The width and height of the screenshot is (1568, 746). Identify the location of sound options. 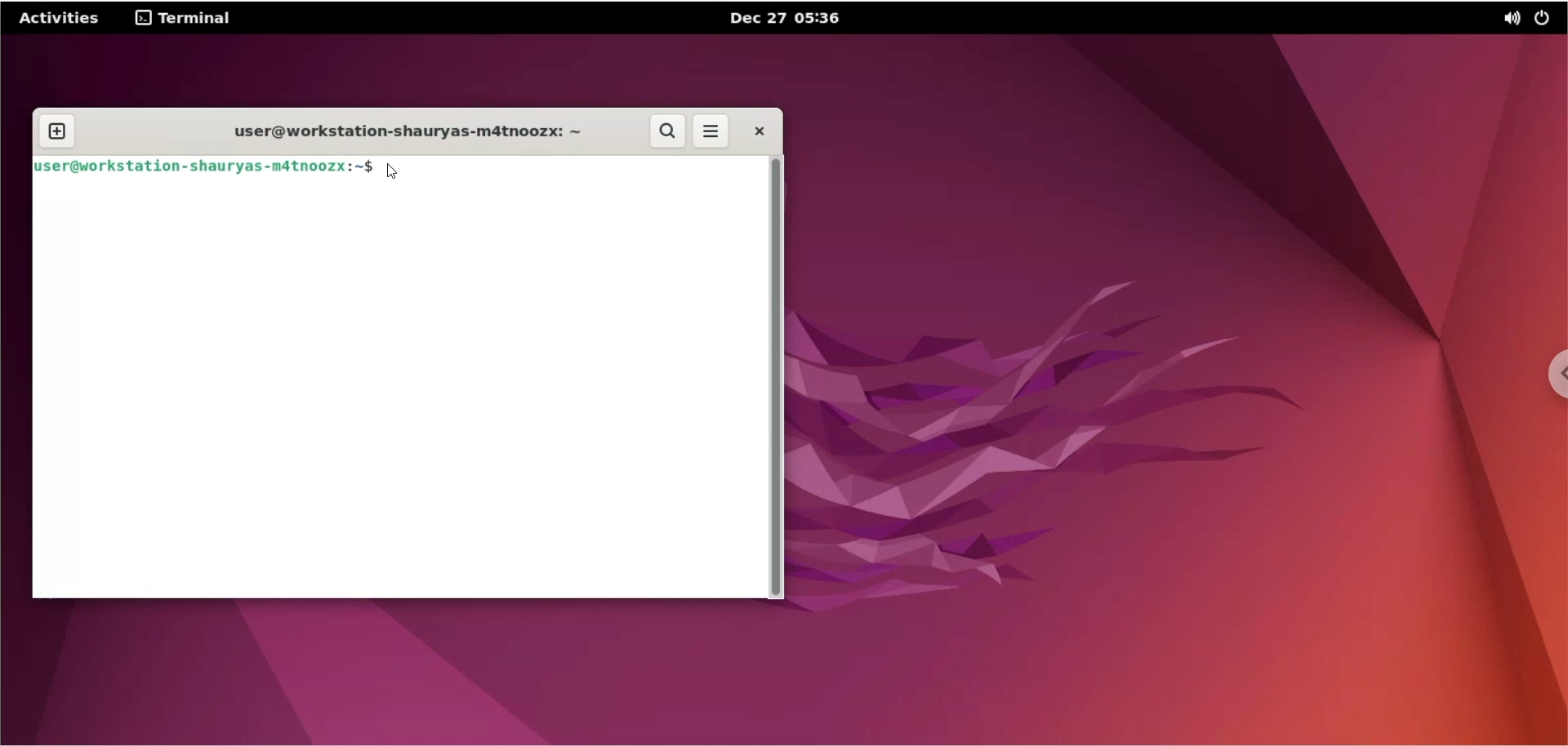
(1508, 20).